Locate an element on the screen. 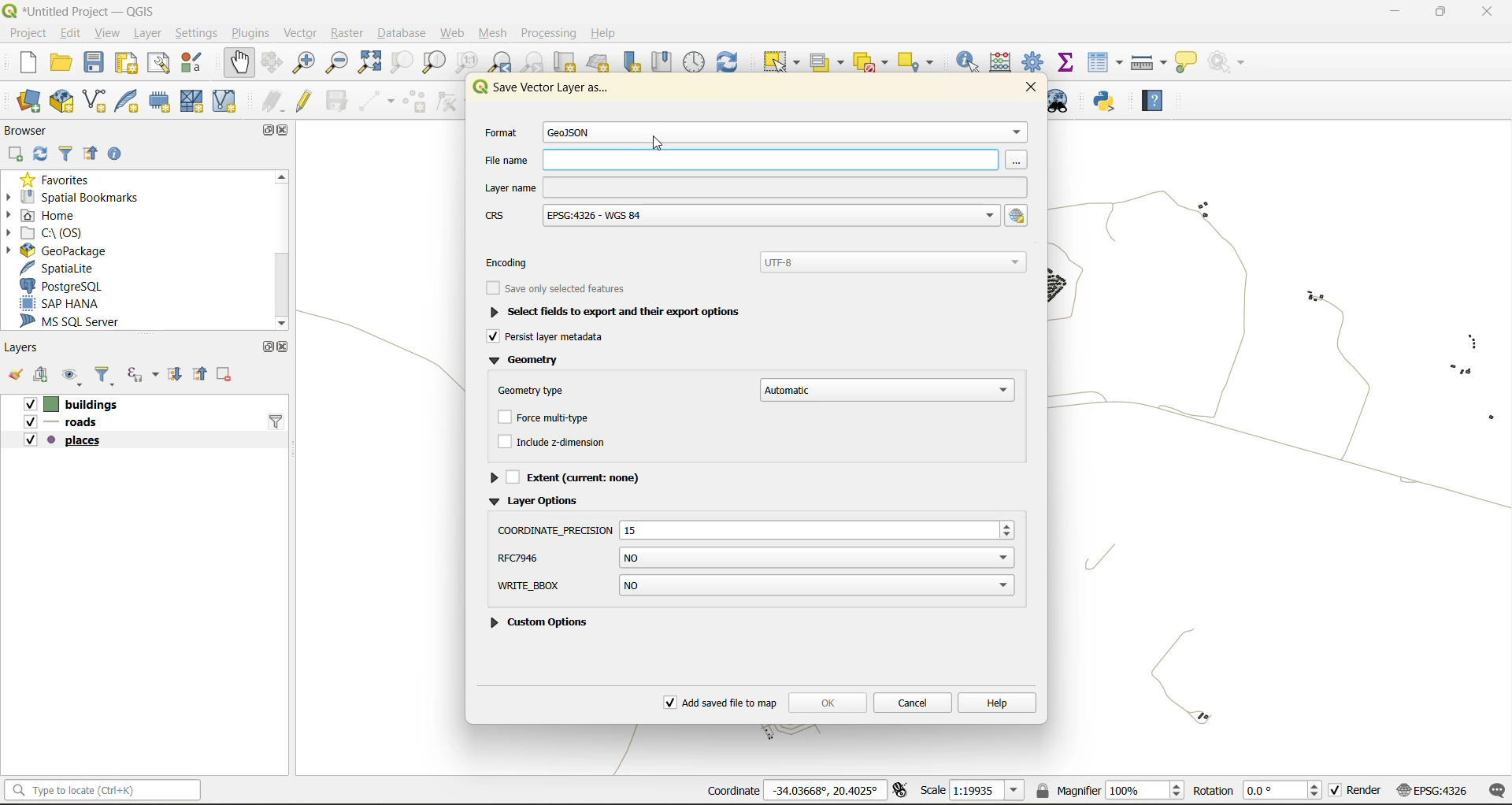  new spatialite is located at coordinates (128, 99).